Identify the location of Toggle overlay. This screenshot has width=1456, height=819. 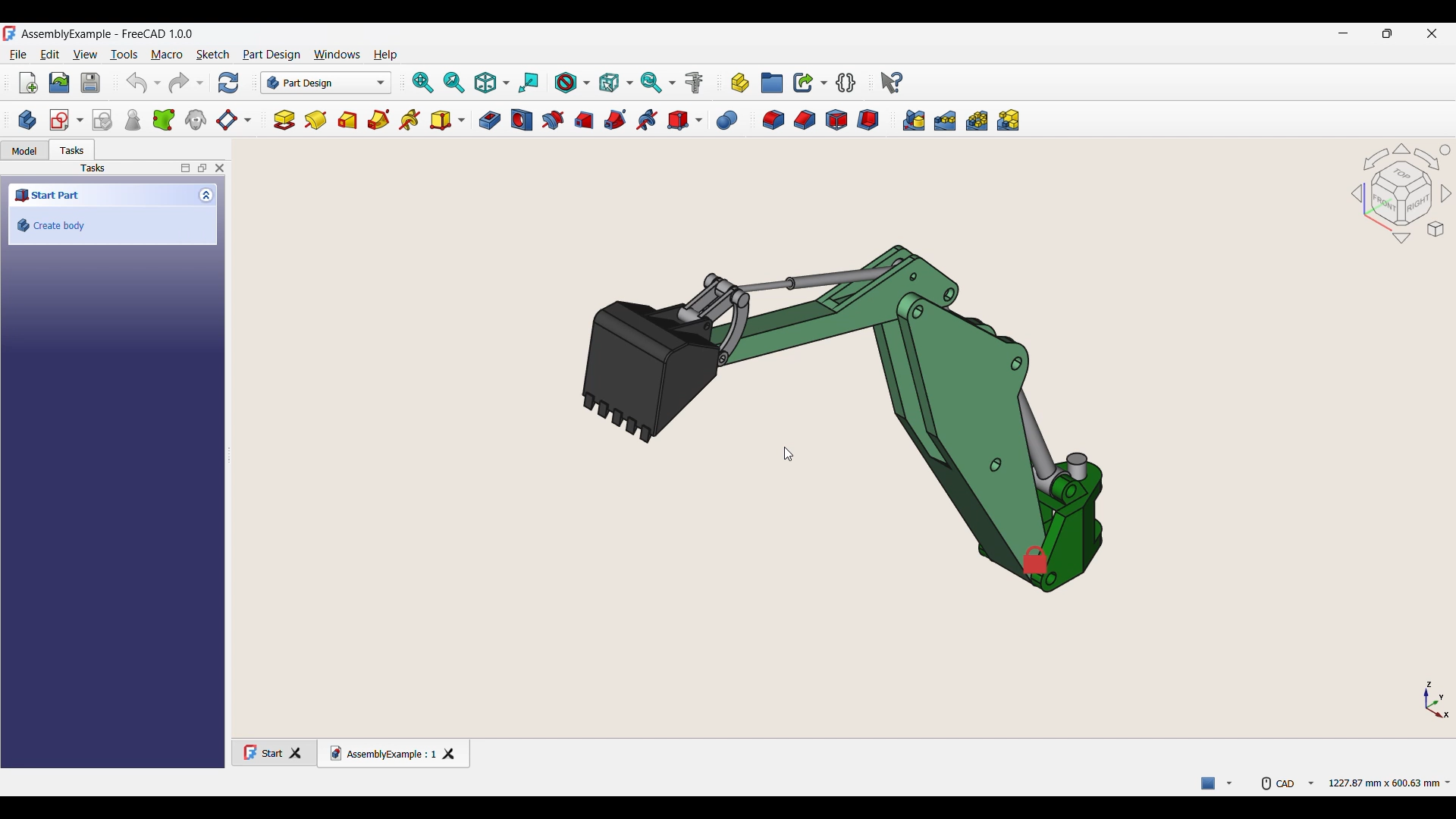
(185, 169).